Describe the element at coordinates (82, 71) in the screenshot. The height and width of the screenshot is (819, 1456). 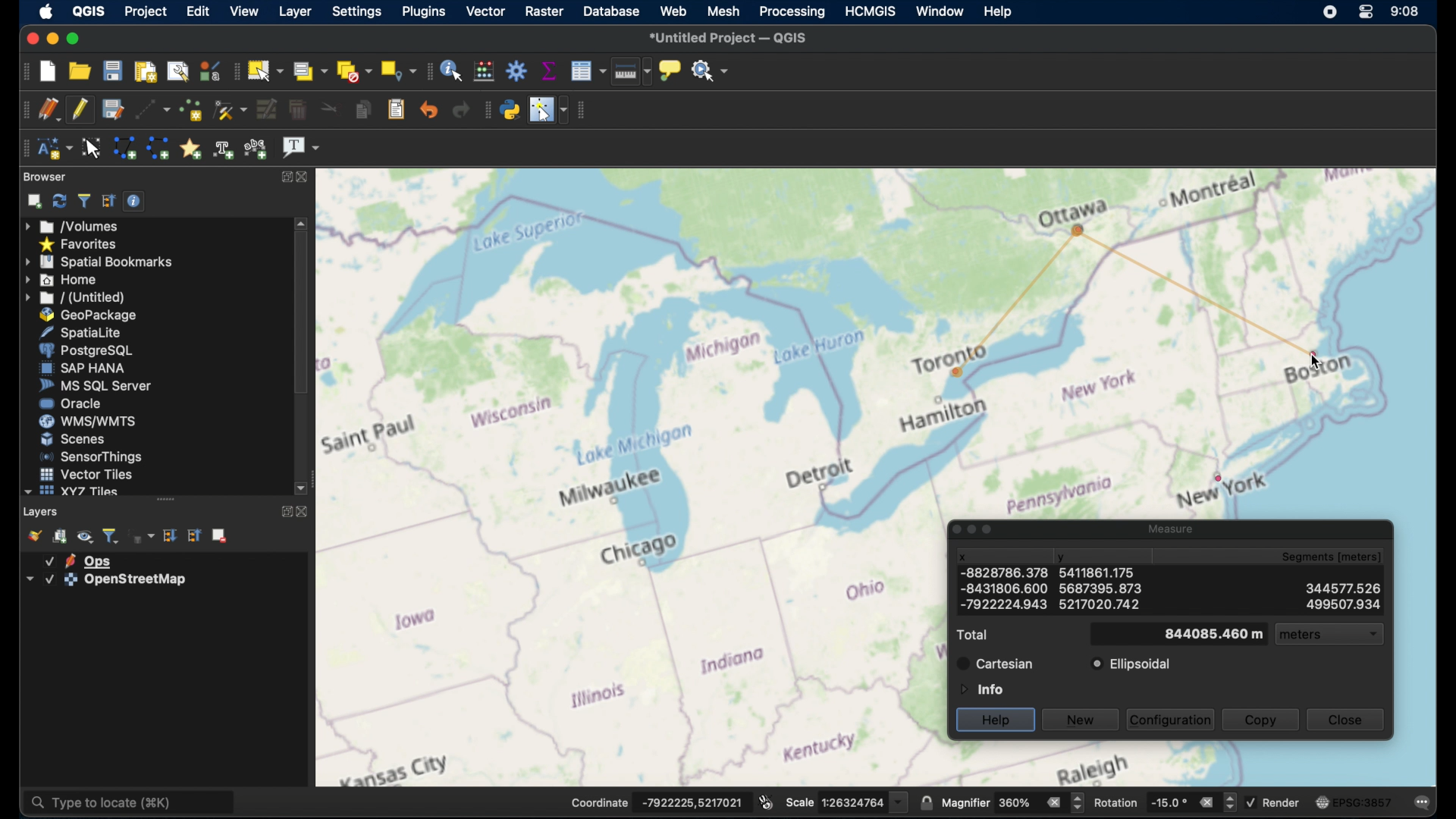
I see `open project` at that location.